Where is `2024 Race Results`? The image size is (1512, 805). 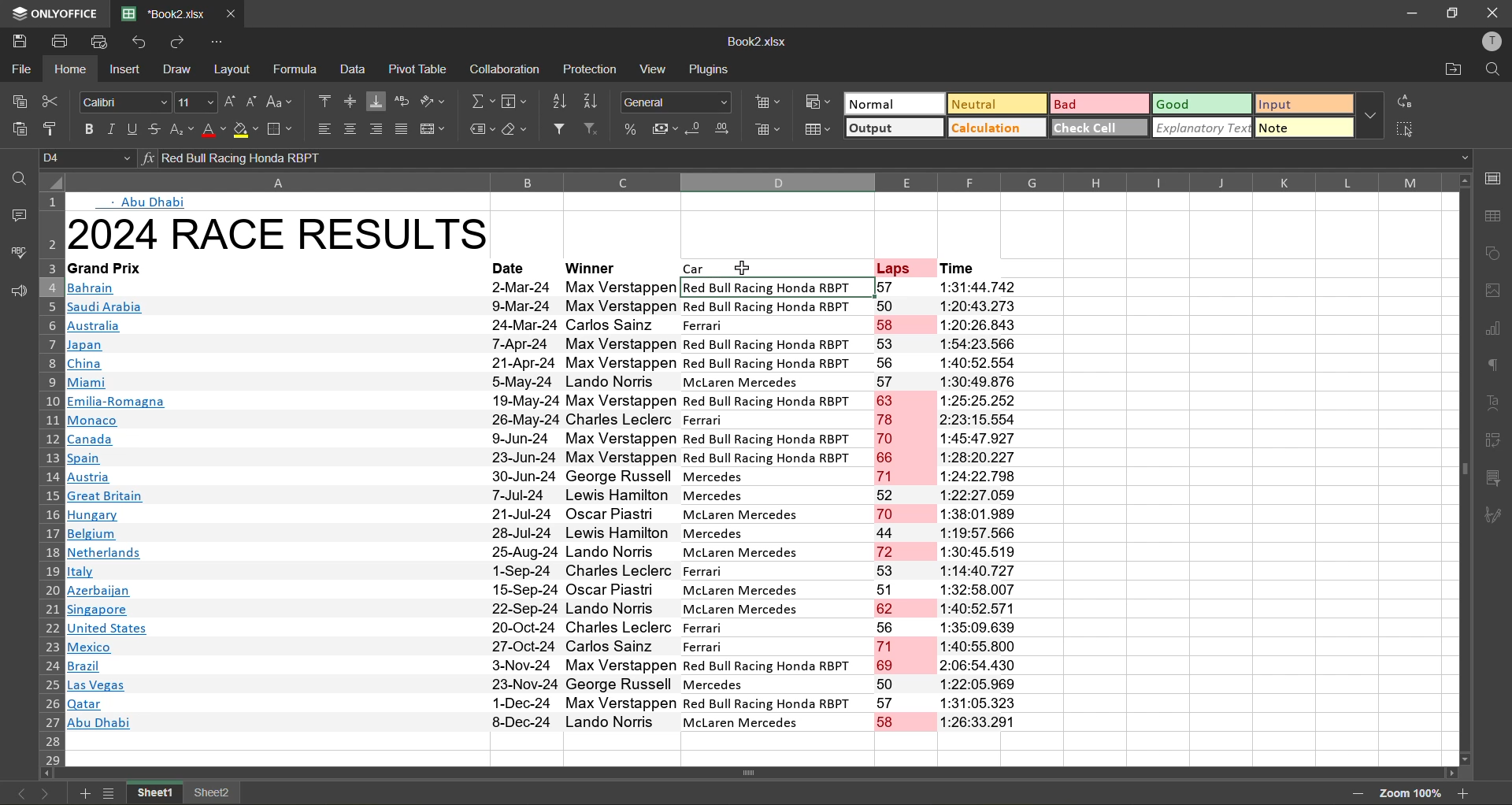
2024 Race Results is located at coordinates (279, 232).